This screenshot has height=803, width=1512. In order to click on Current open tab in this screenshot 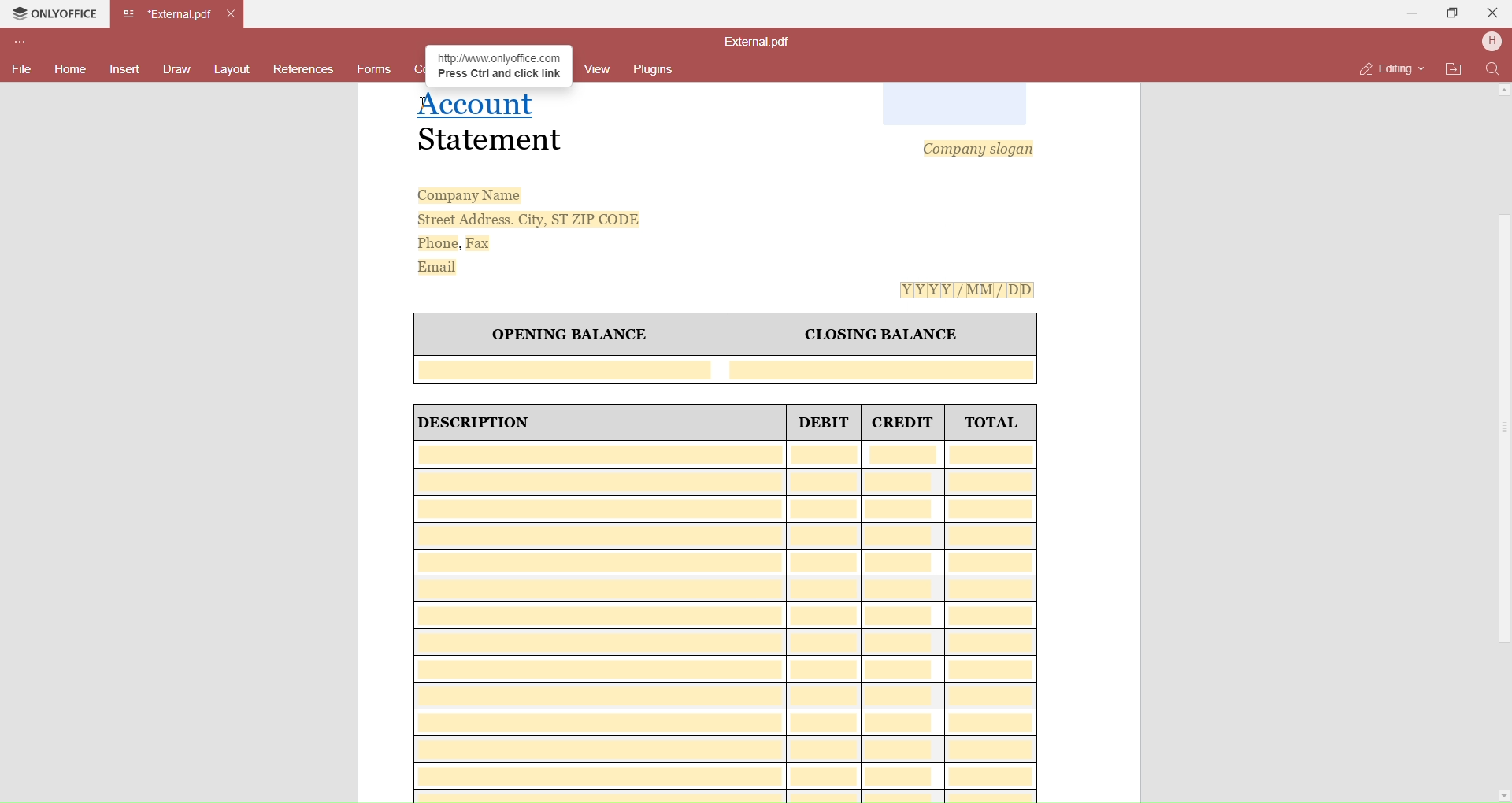, I will do `click(169, 14)`.